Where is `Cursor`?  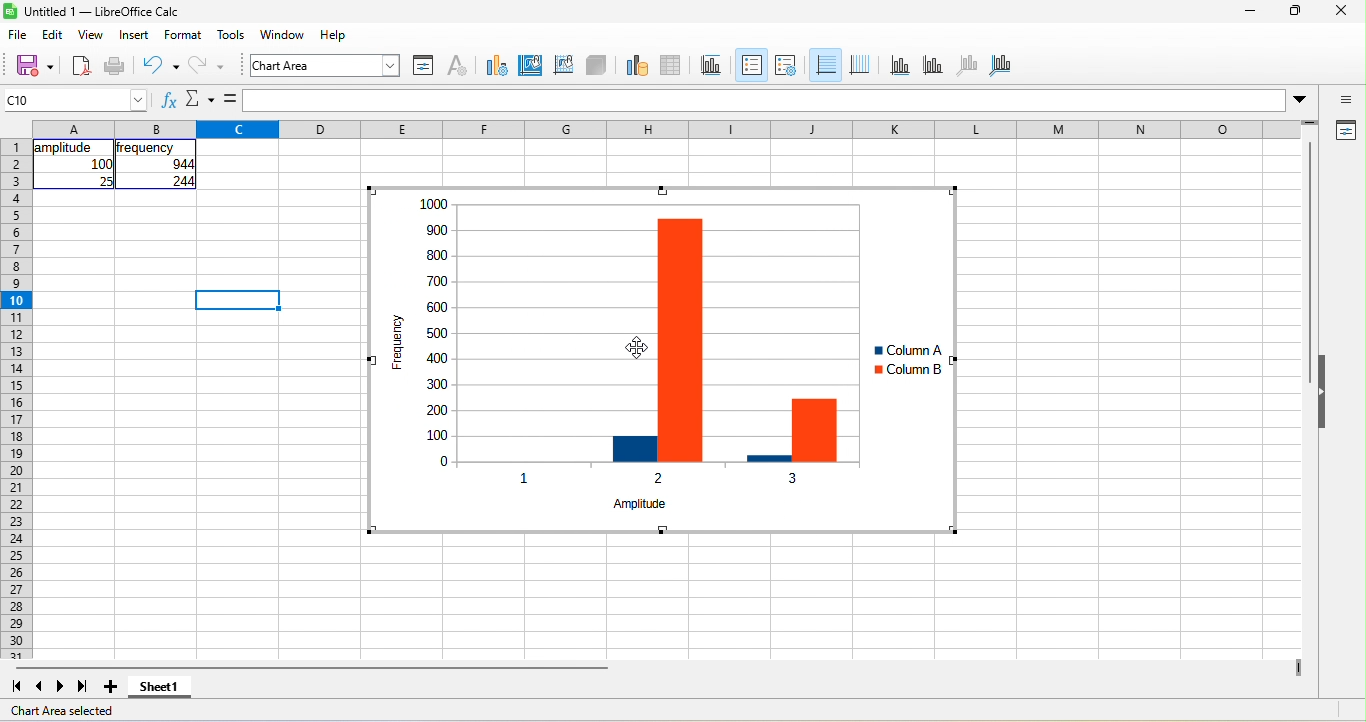 Cursor is located at coordinates (637, 348).